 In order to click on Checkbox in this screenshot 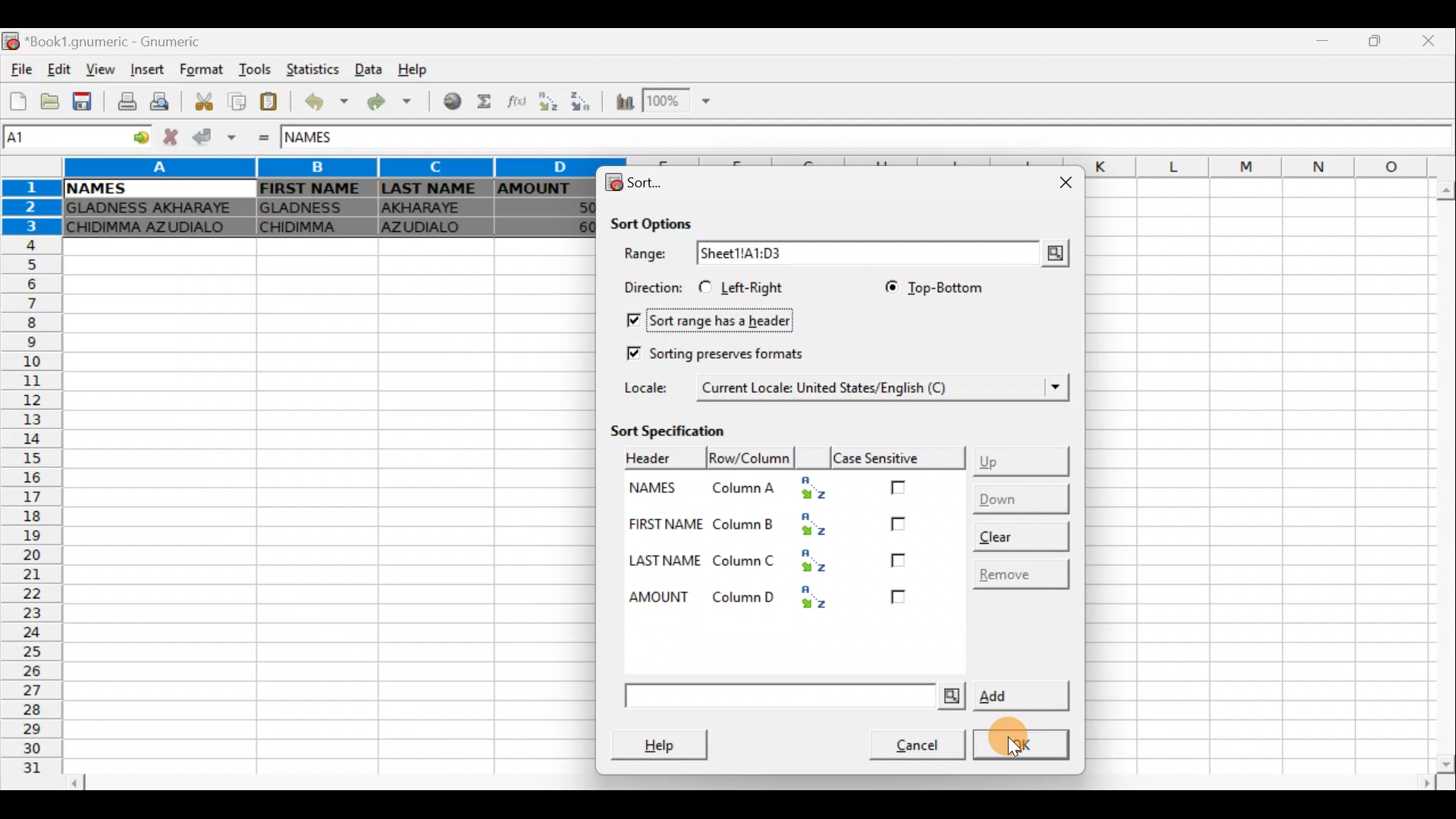, I will do `click(895, 563)`.